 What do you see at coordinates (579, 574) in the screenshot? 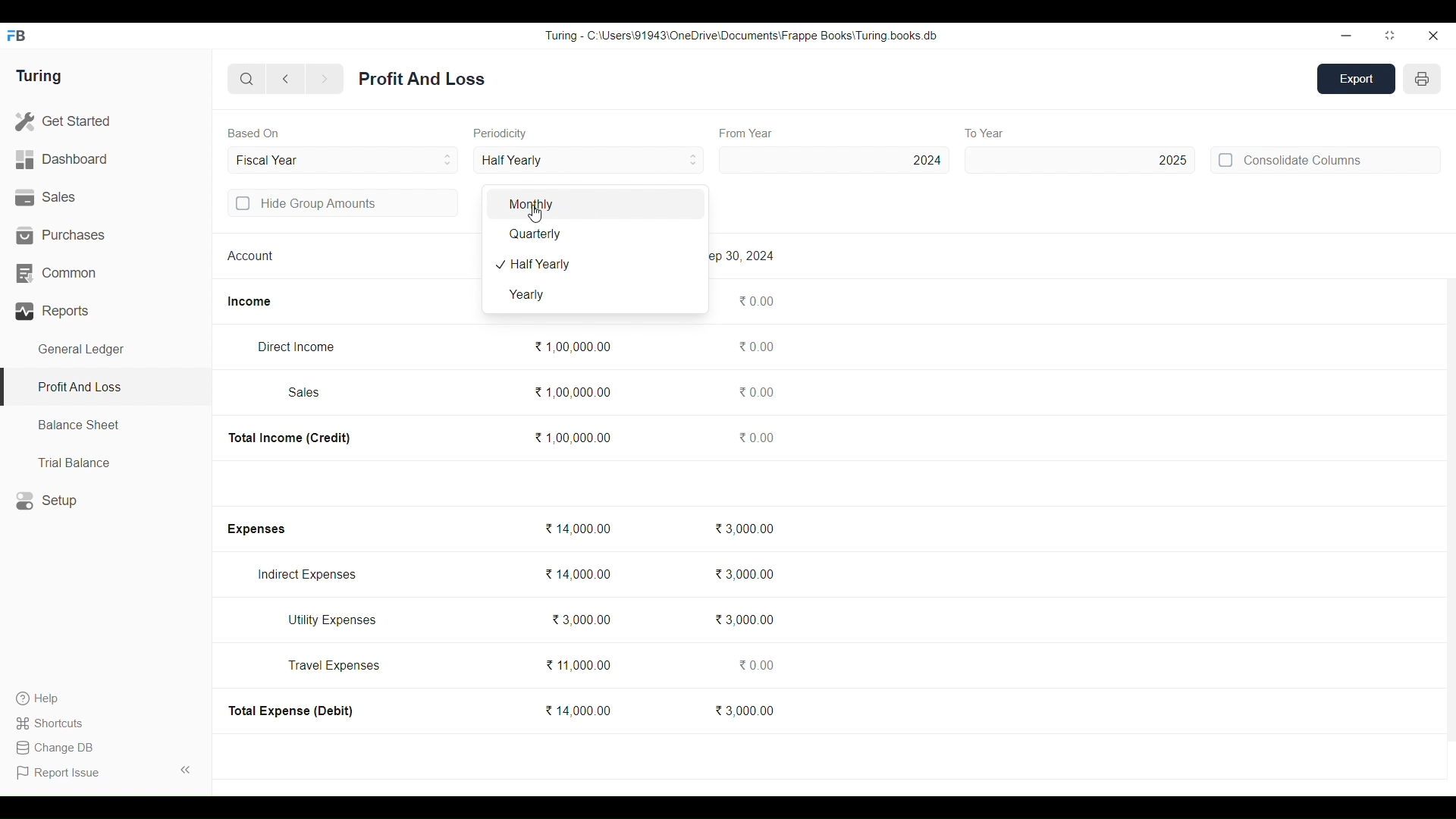
I see `14,000.00` at bounding box center [579, 574].